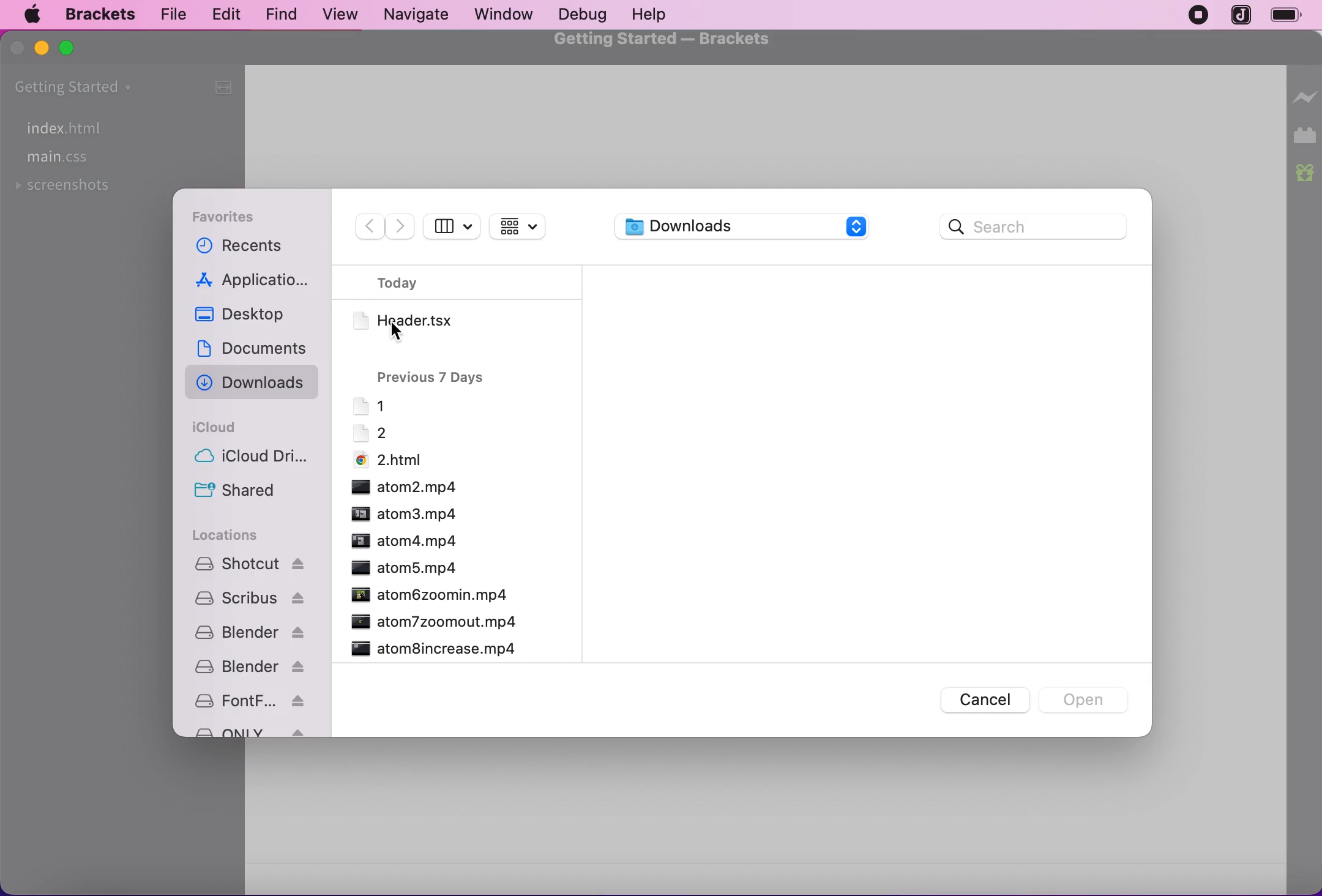 This screenshot has width=1322, height=896. Describe the element at coordinates (275, 15) in the screenshot. I see `find` at that location.